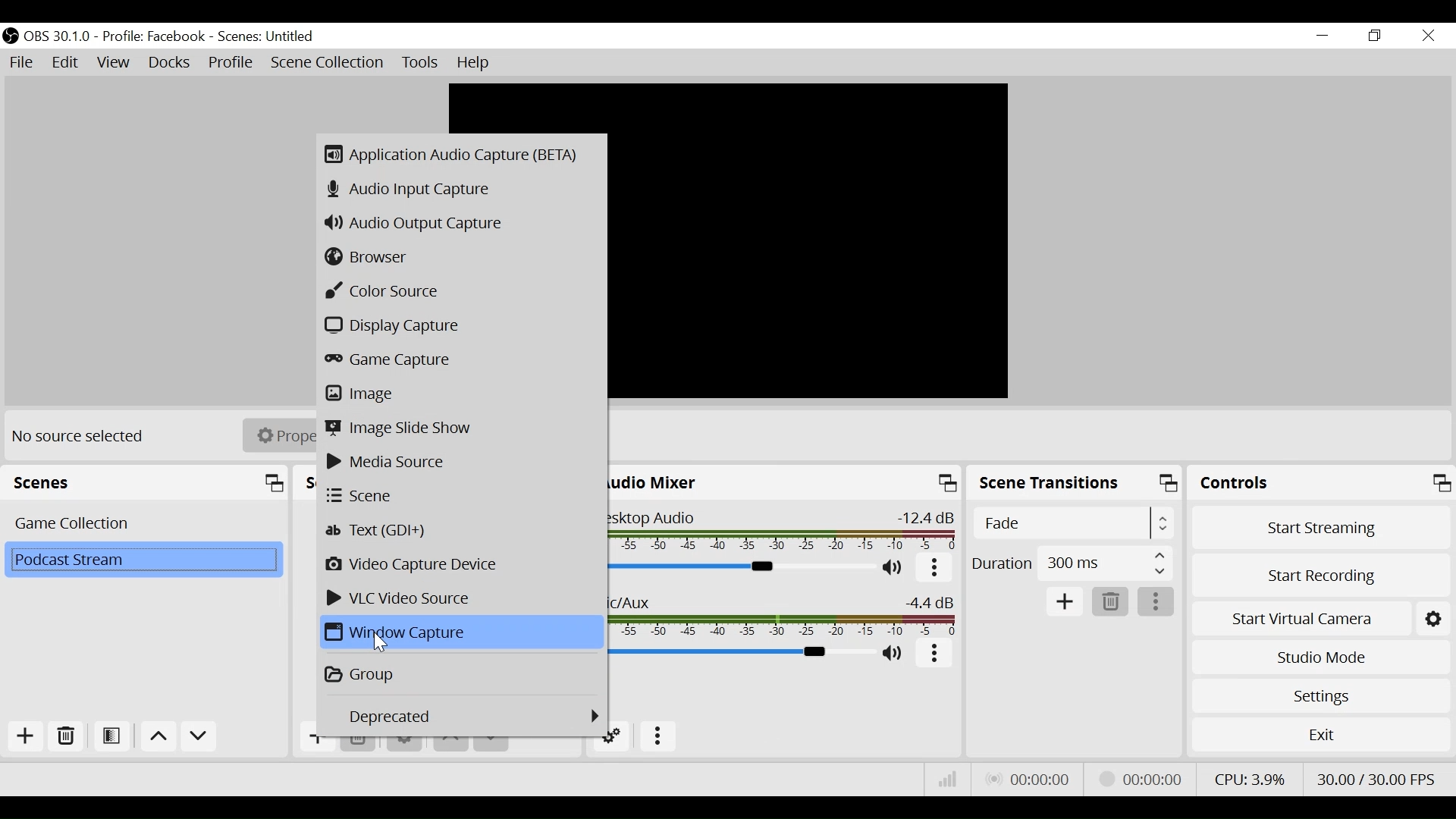 This screenshot has width=1456, height=819. I want to click on Controls Panel, so click(1321, 483).